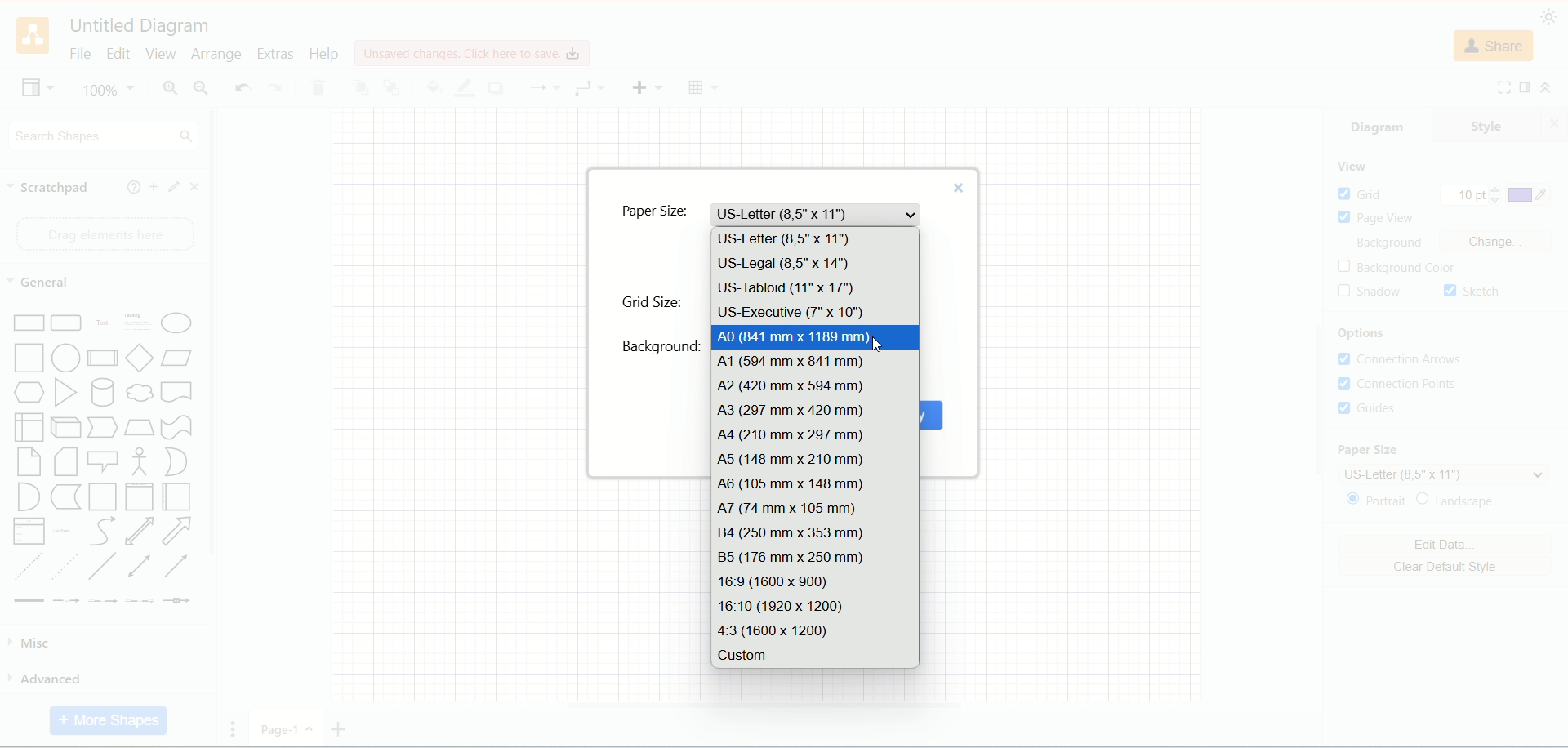  What do you see at coordinates (1370, 292) in the screenshot?
I see `shadow` at bounding box center [1370, 292].